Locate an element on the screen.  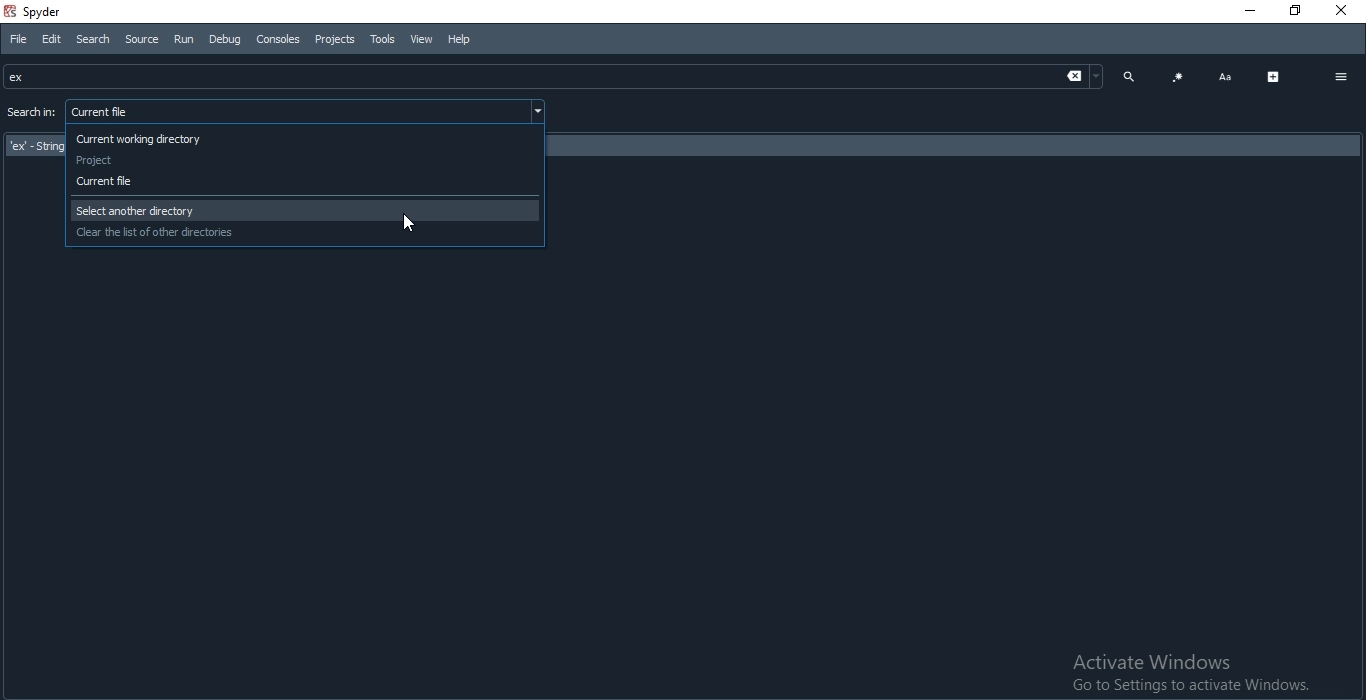
select another directory is located at coordinates (305, 210).